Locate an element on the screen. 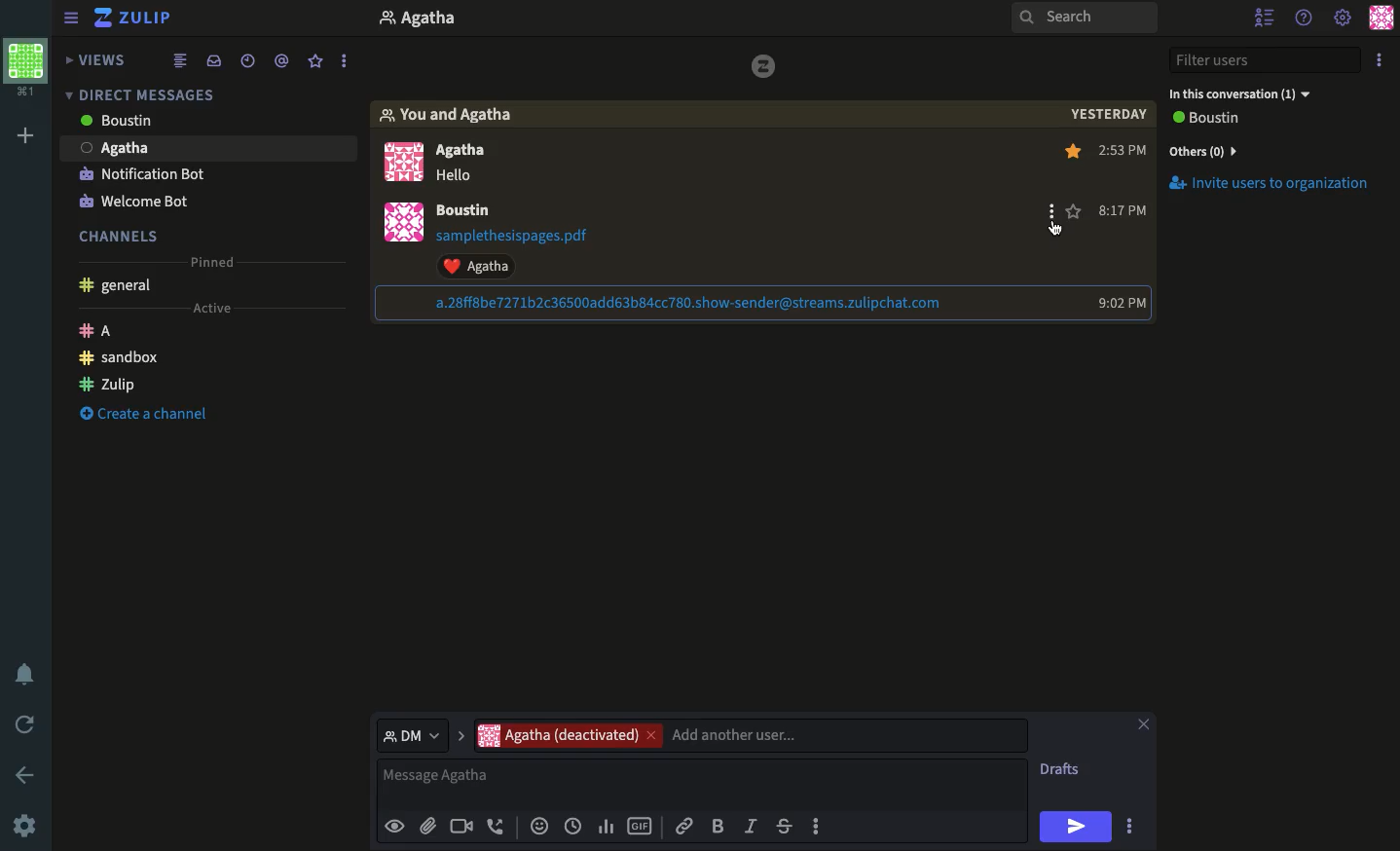  Users is located at coordinates (462, 152).